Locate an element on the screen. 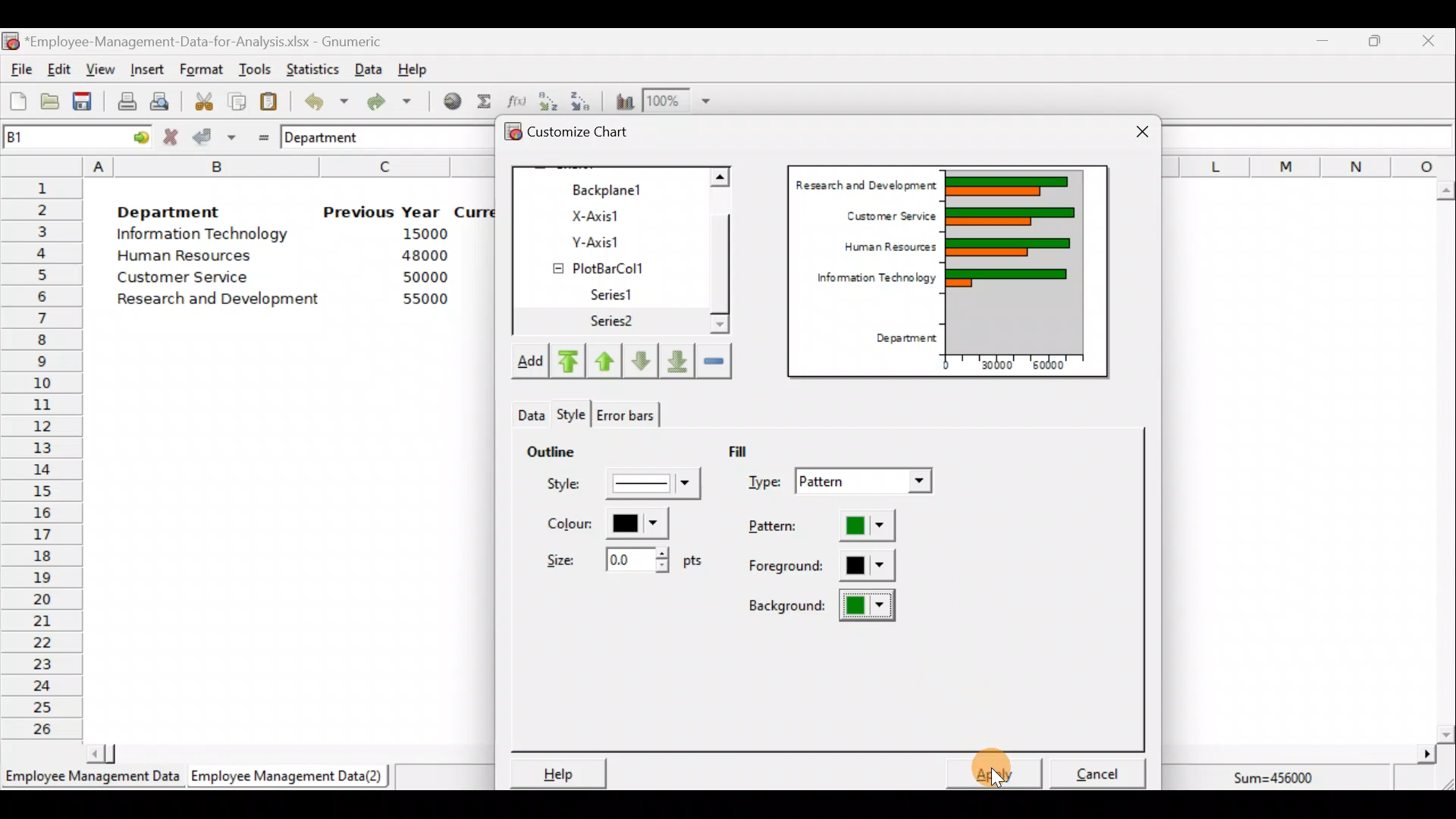  Print preview is located at coordinates (159, 99).